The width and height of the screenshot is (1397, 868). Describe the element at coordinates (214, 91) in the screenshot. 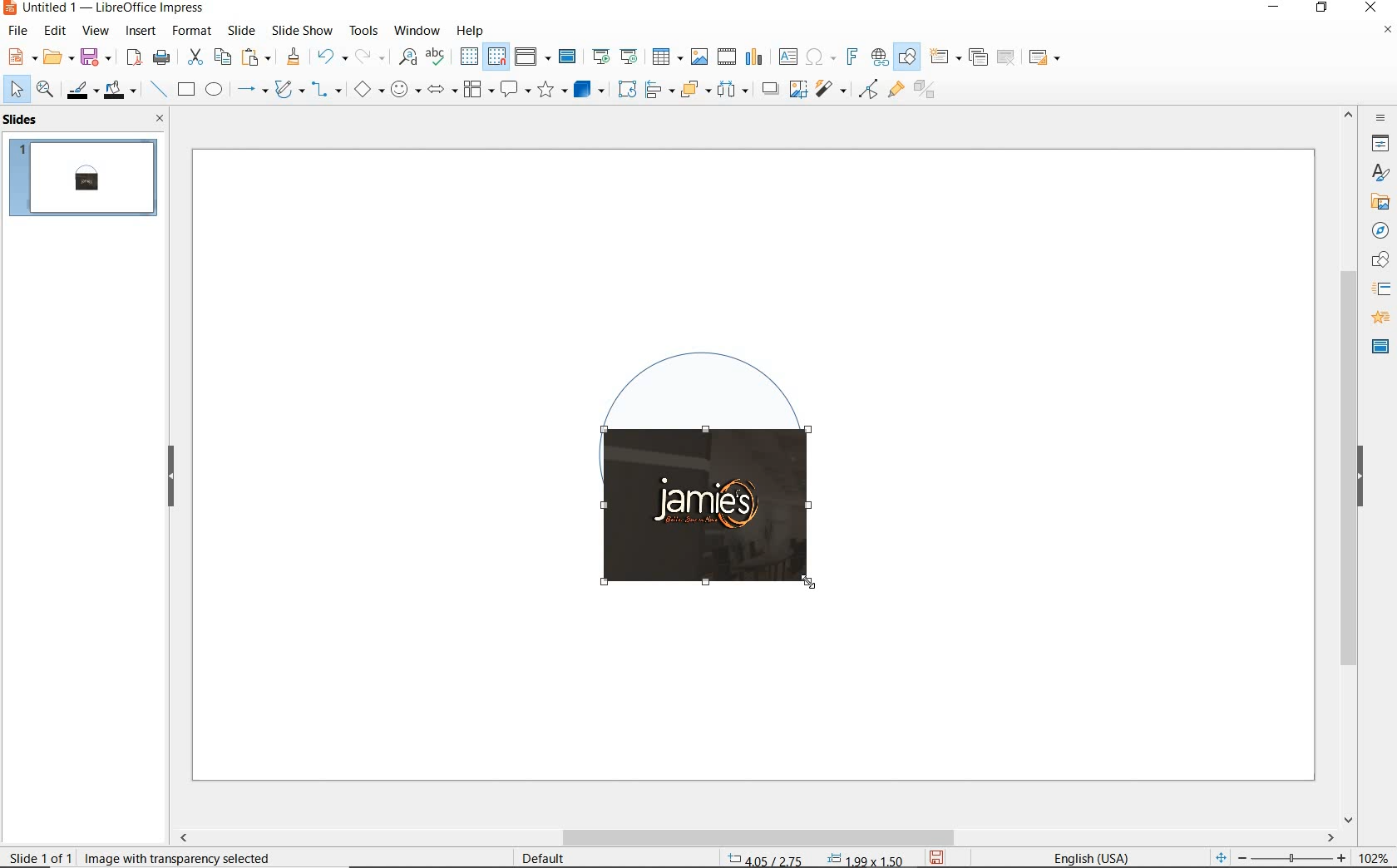

I see `ellipse` at that location.